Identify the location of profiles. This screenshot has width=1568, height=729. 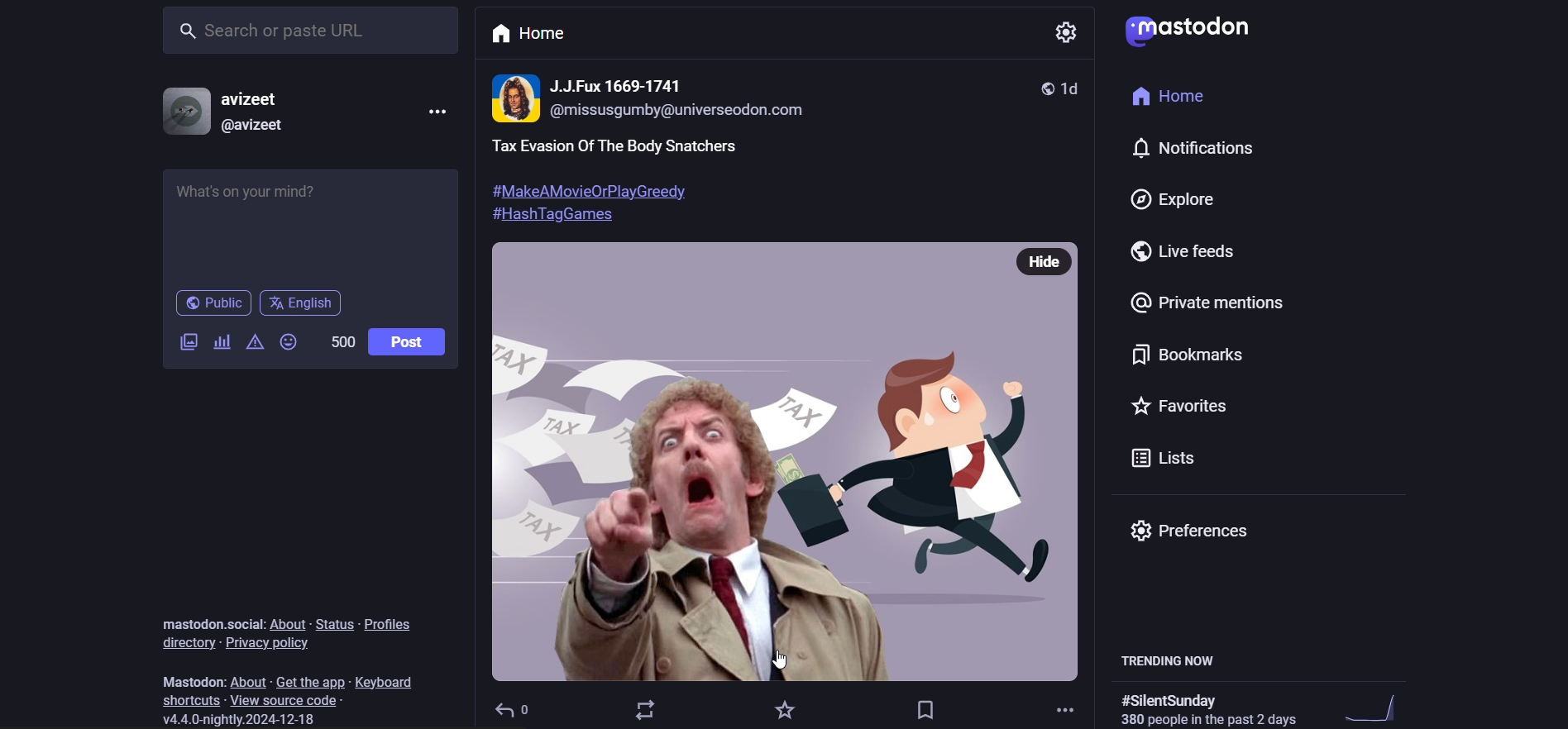
(387, 622).